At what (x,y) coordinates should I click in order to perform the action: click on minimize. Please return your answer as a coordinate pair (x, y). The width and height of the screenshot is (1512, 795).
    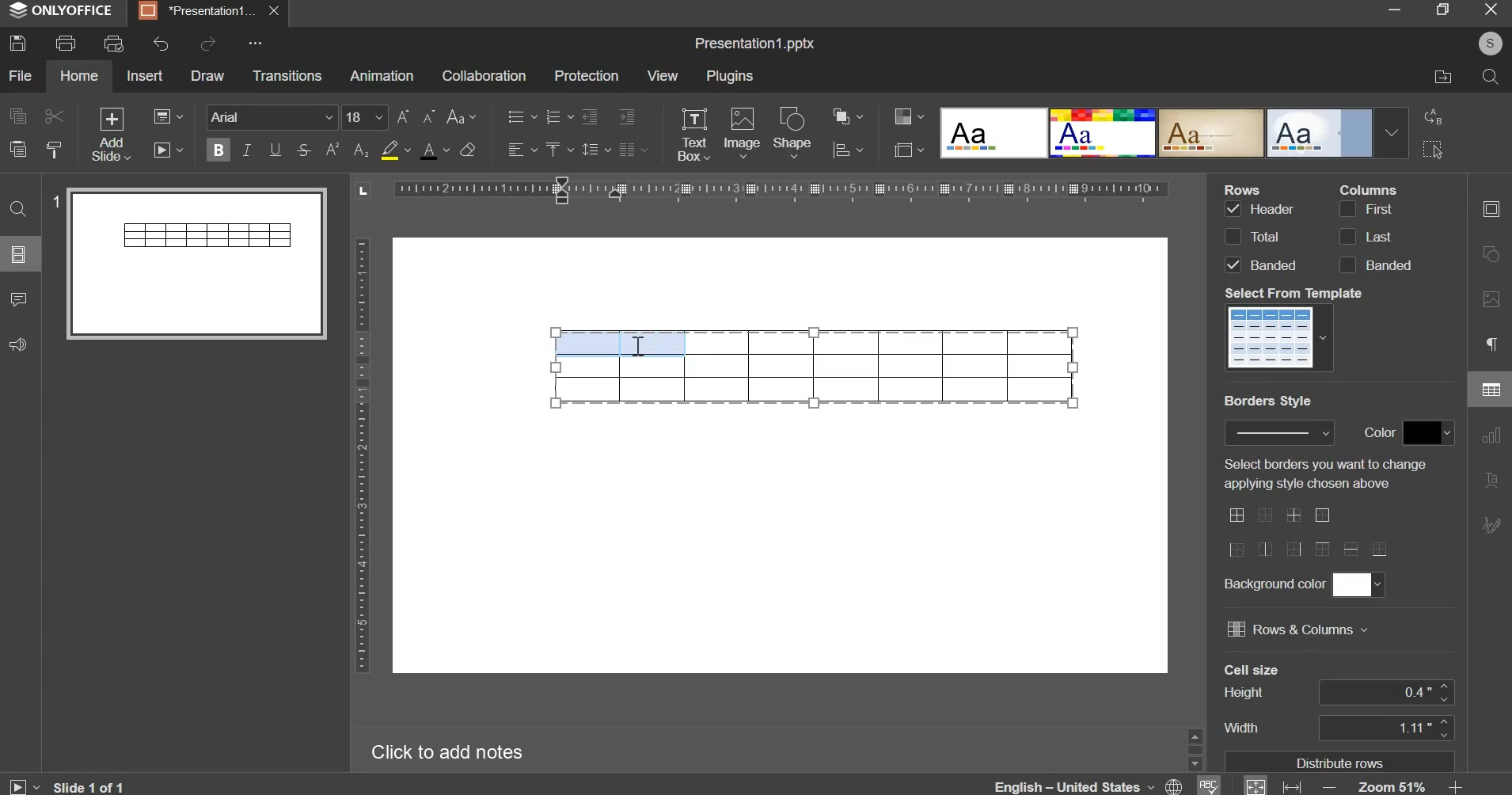
    Looking at the image, I should click on (1394, 11).